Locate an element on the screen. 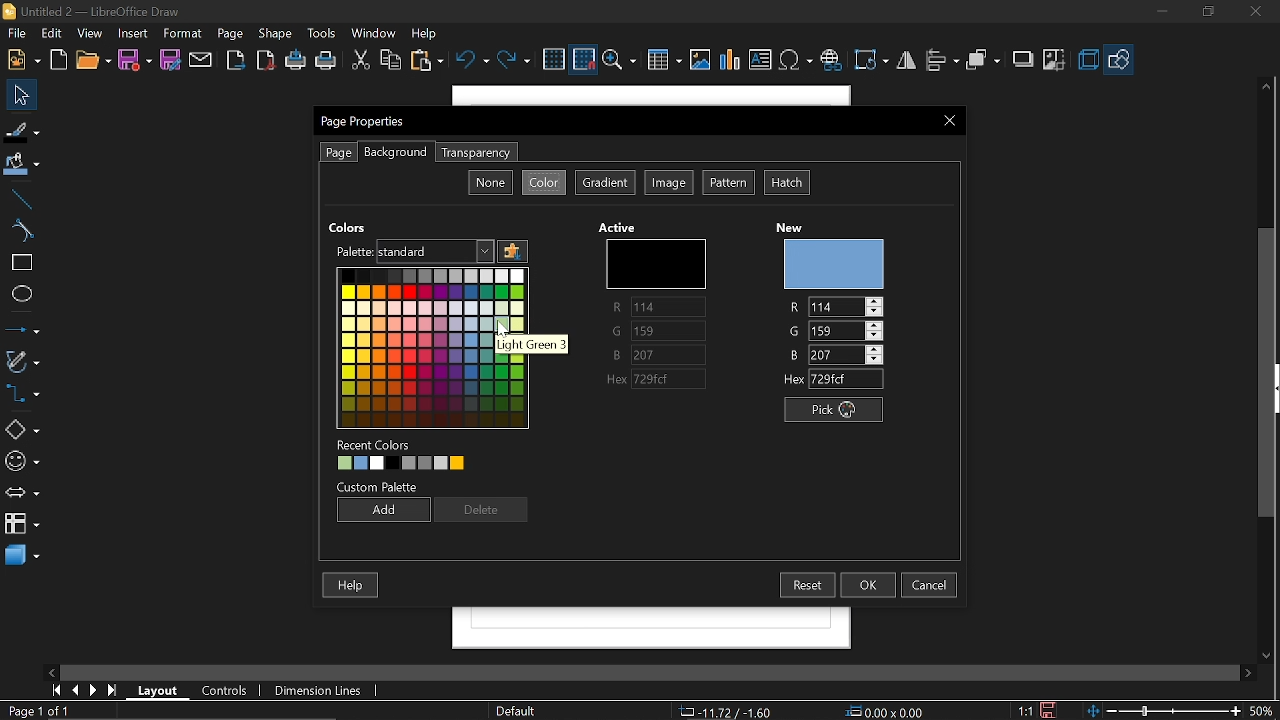 The image size is (1280, 720). Hex is located at coordinates (834, 380).